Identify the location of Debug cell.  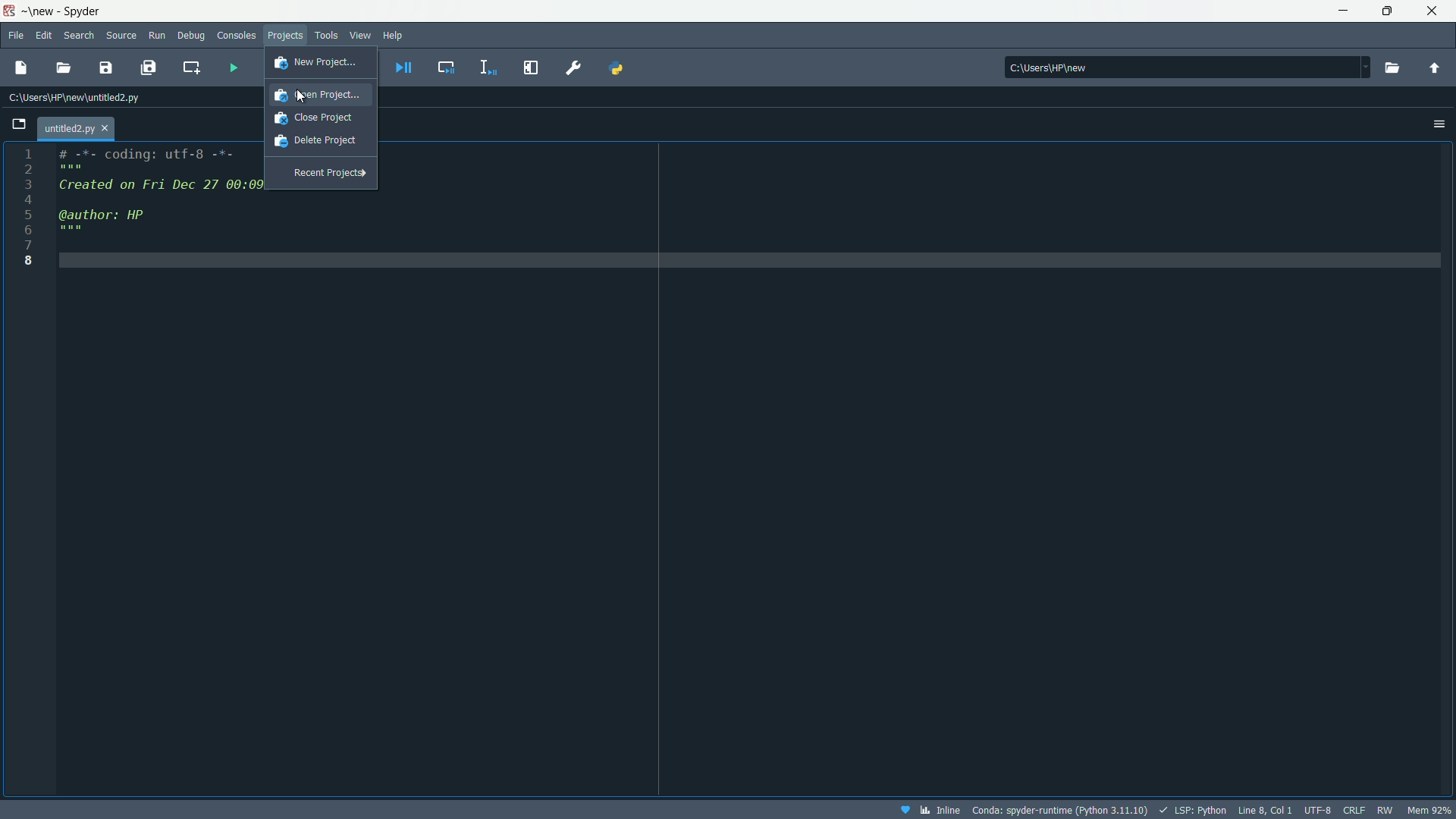
(447, 67).